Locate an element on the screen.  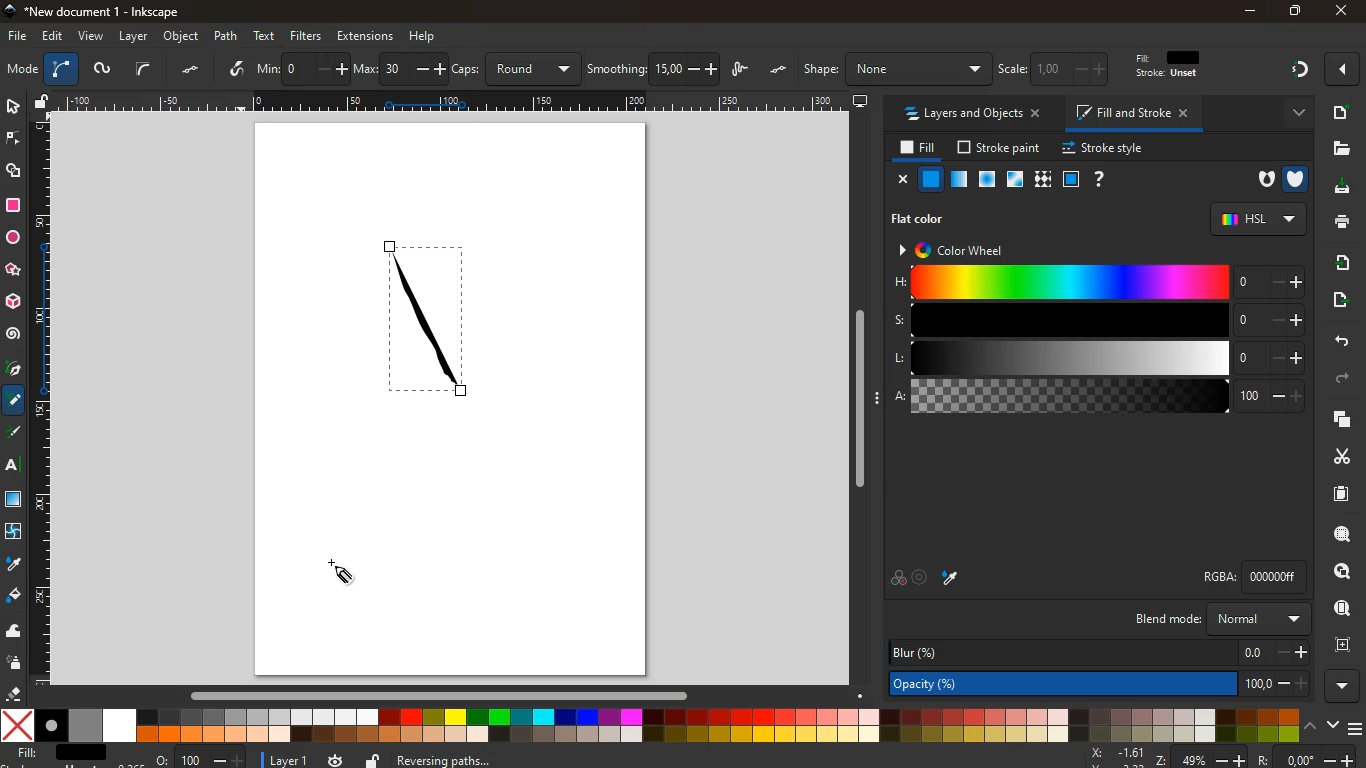
help is located at coordinates (423, 37).